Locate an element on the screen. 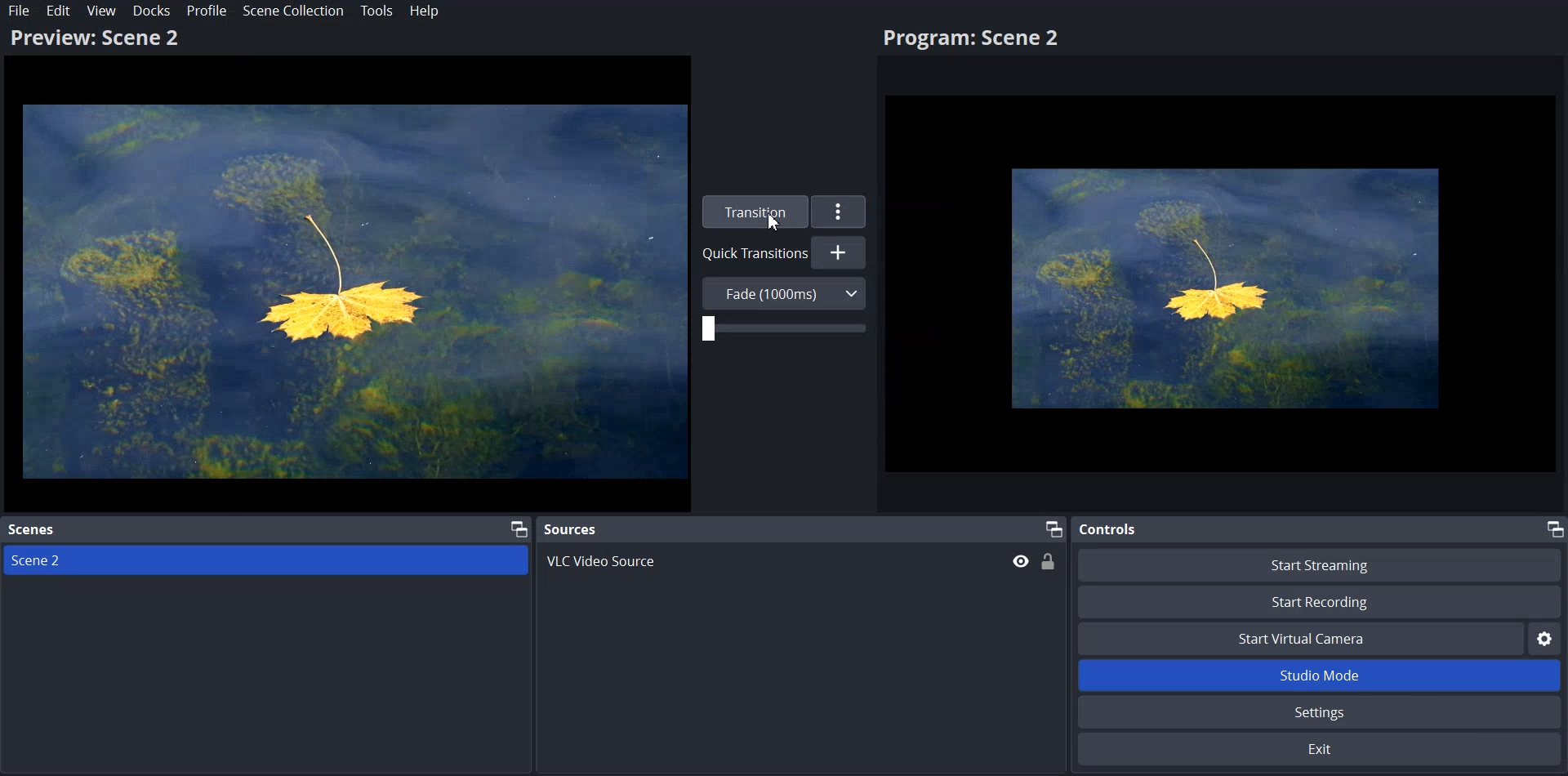  Quick Transition is located at coordinates (755, 252).